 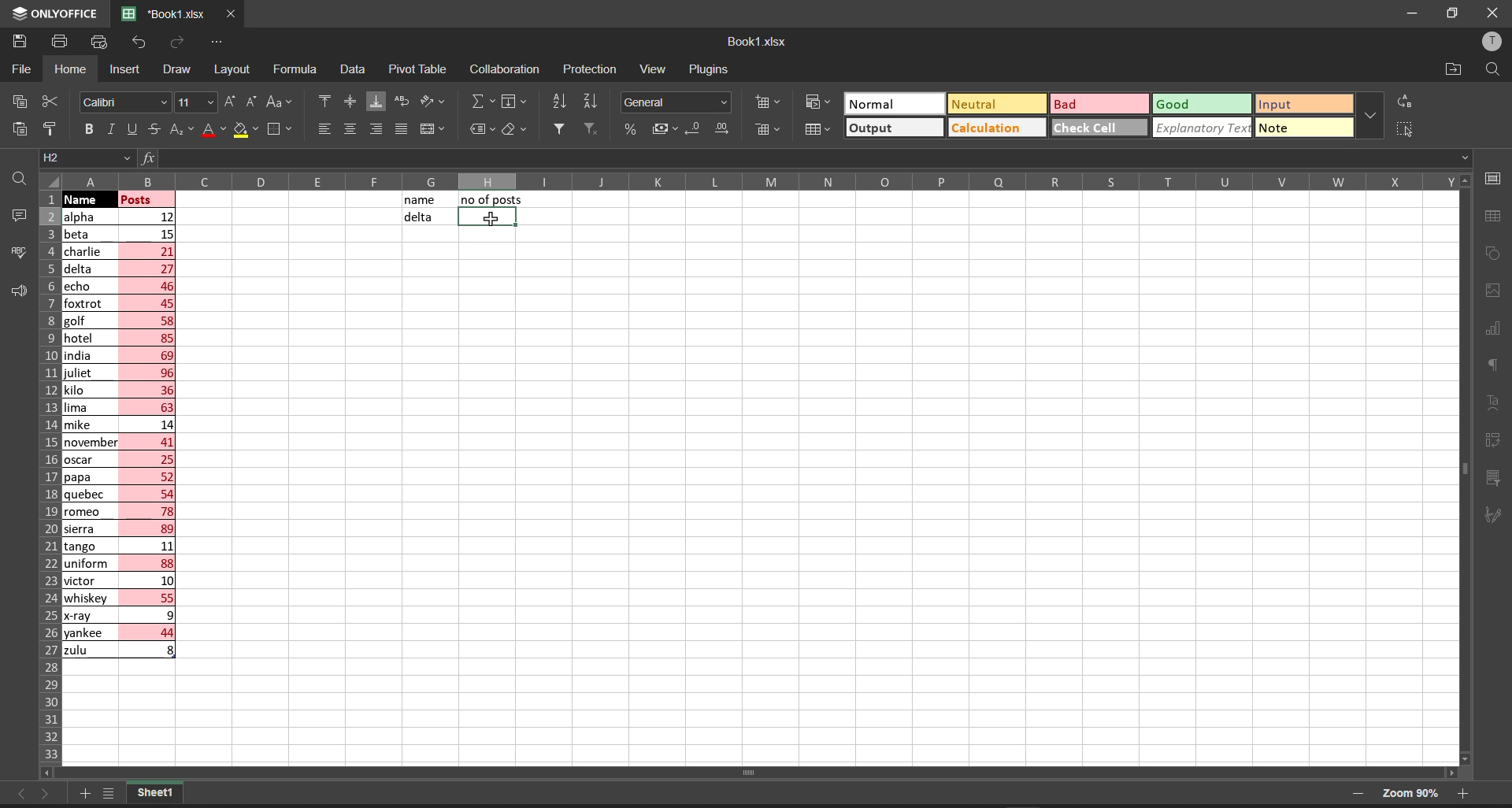 I want to click on customize quick access tool bar, so click(x=217, y=40).